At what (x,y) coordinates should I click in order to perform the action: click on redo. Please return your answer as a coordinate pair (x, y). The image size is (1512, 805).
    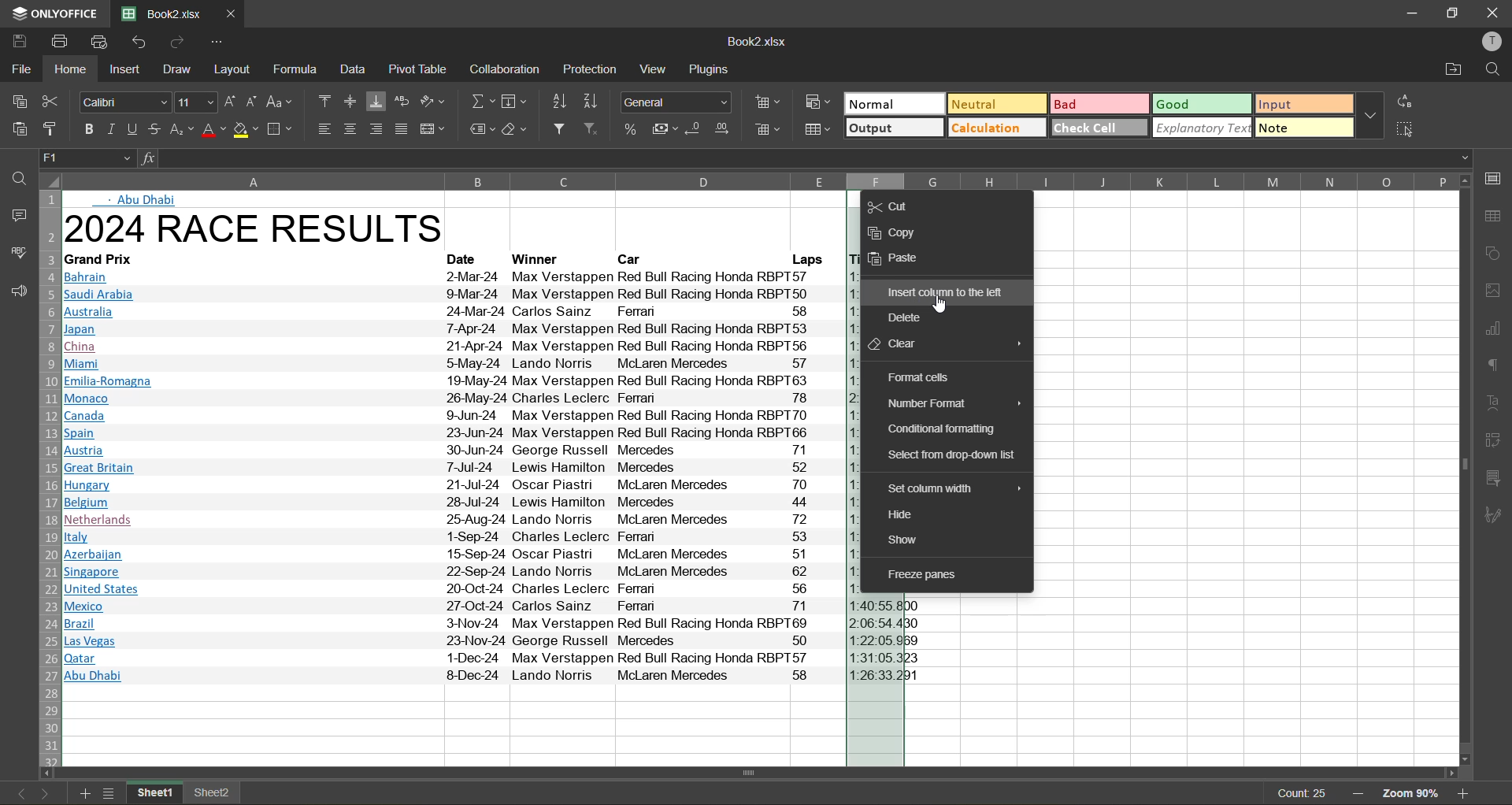
    Looking at the image, I should click on (179, 43).